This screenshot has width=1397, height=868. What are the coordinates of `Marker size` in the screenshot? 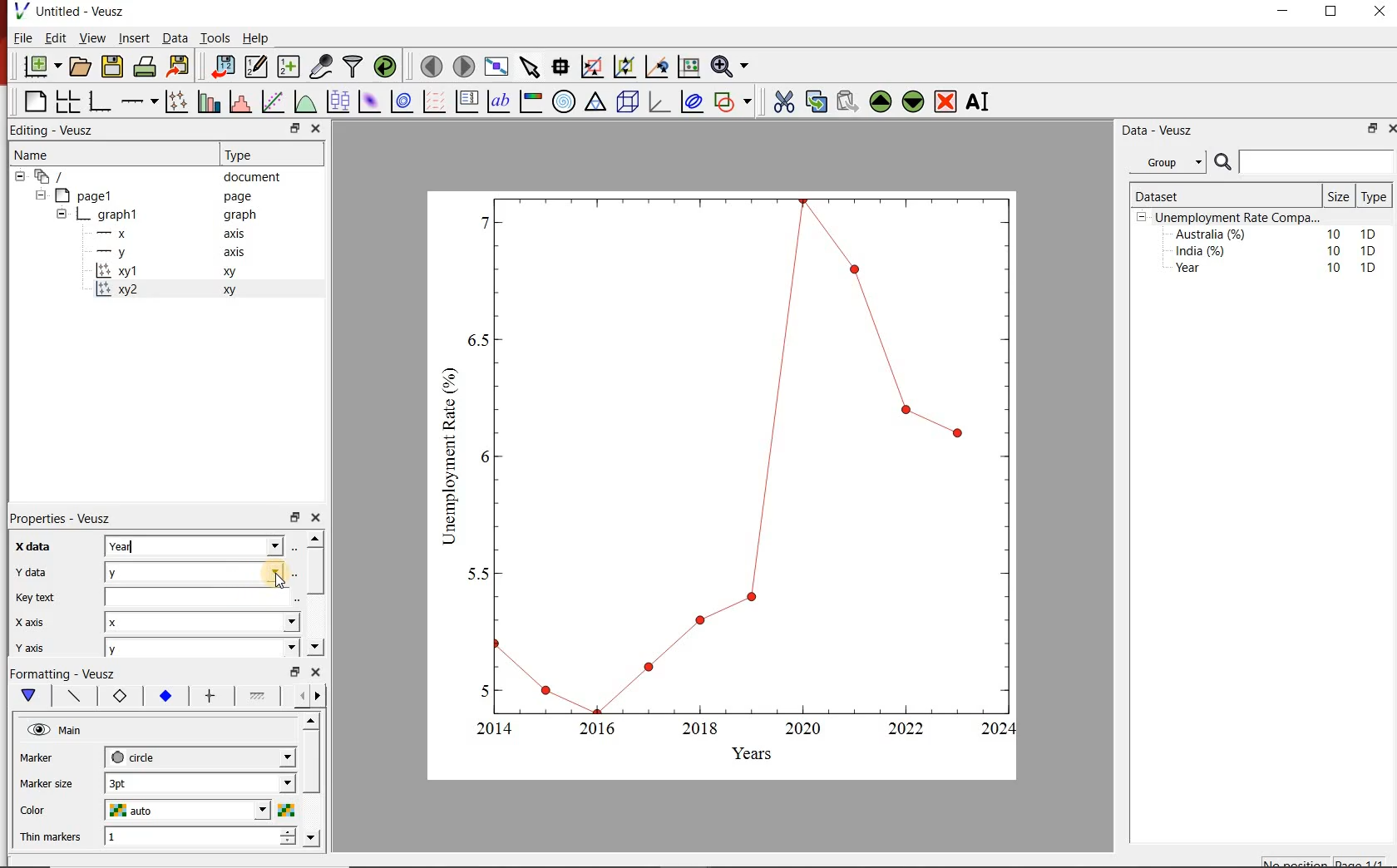 It's located at (48, 782).